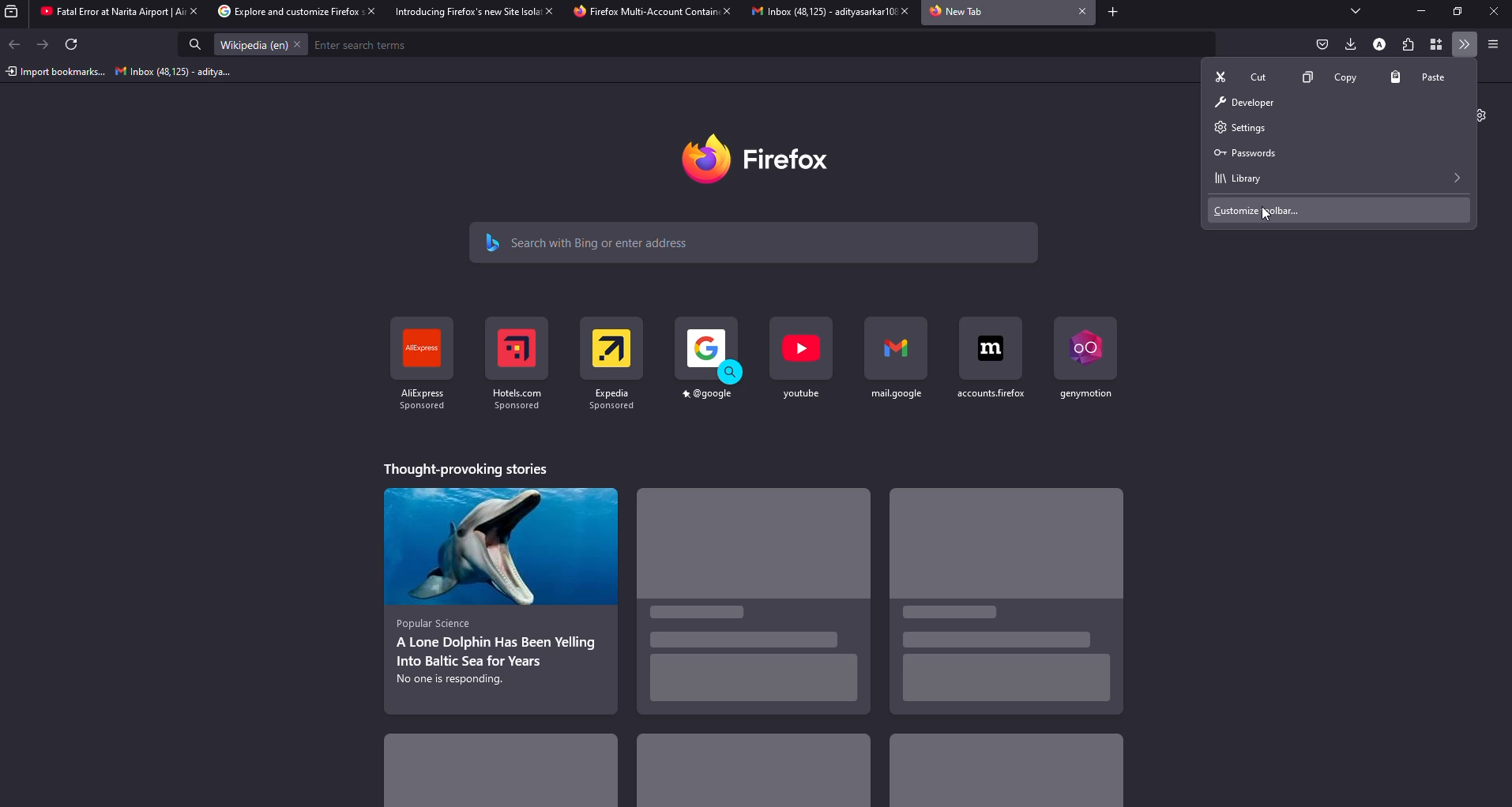 The width and height of the screenshot is (1512, 807). What do you see at coordinates (17, 44) in the screenshot?
I see `back` at bounding box center [17, 44].